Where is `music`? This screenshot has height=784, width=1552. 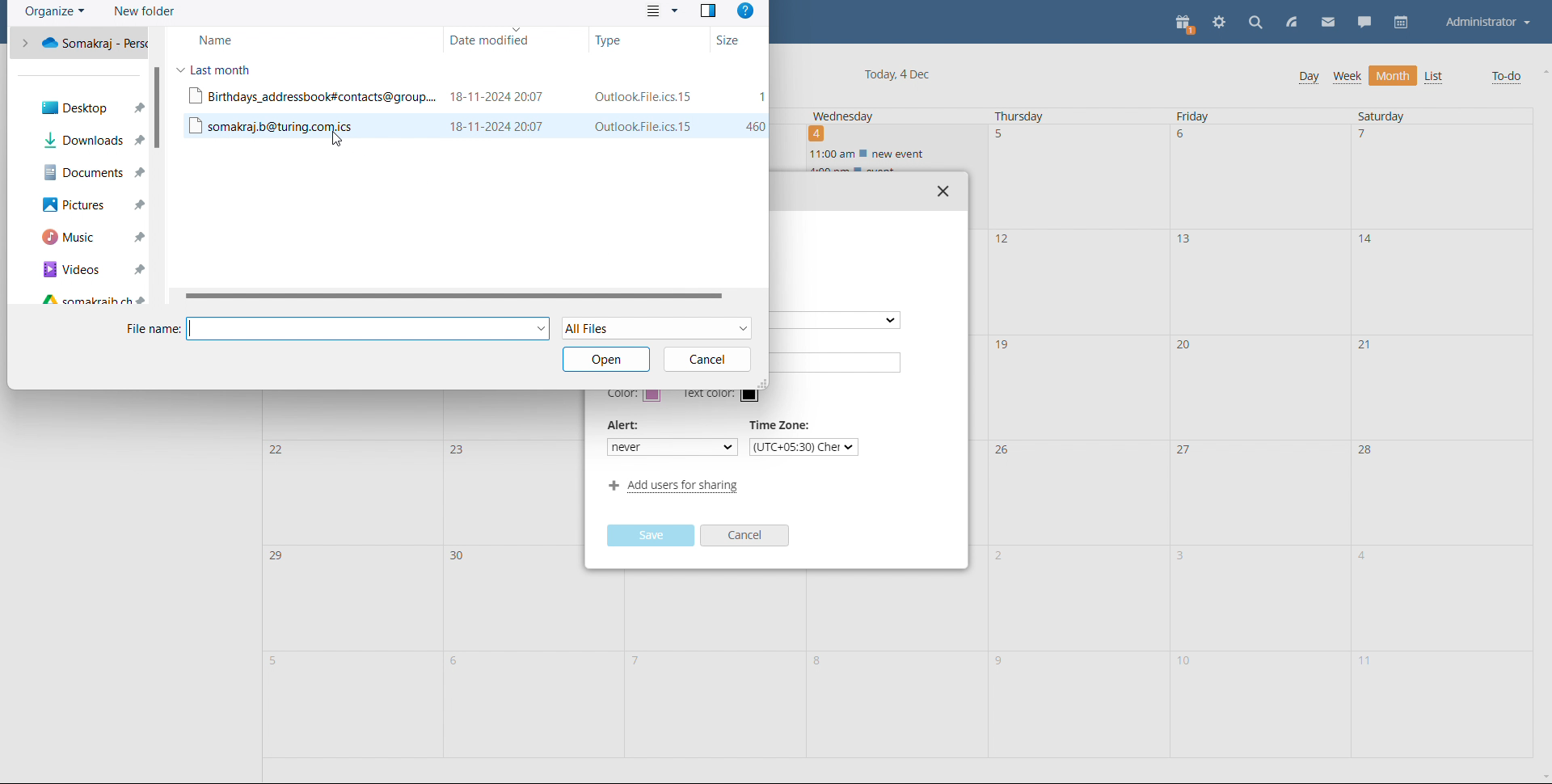
music is located at coordinates (88, 238).